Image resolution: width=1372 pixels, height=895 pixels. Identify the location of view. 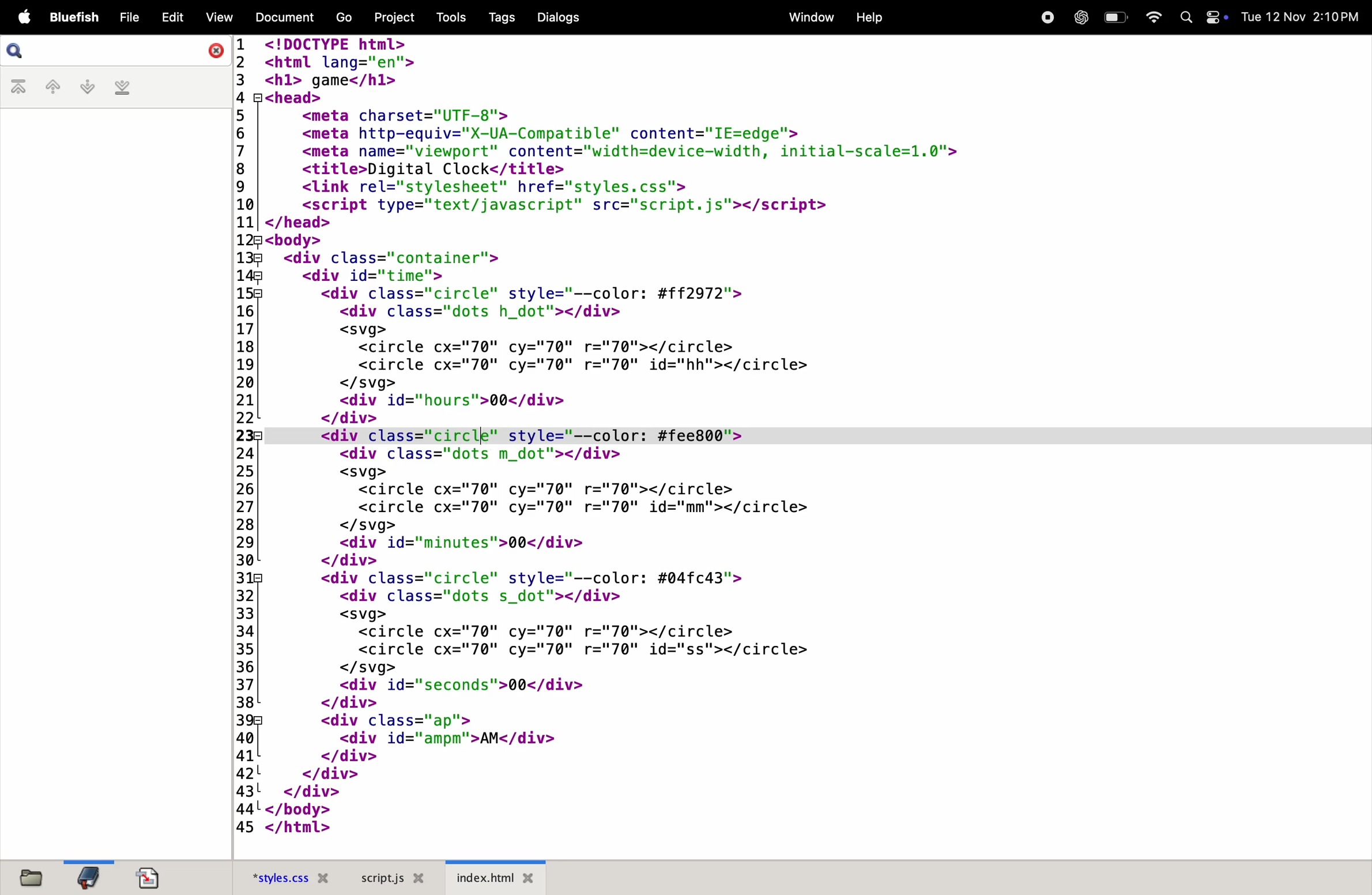
(218, 16).